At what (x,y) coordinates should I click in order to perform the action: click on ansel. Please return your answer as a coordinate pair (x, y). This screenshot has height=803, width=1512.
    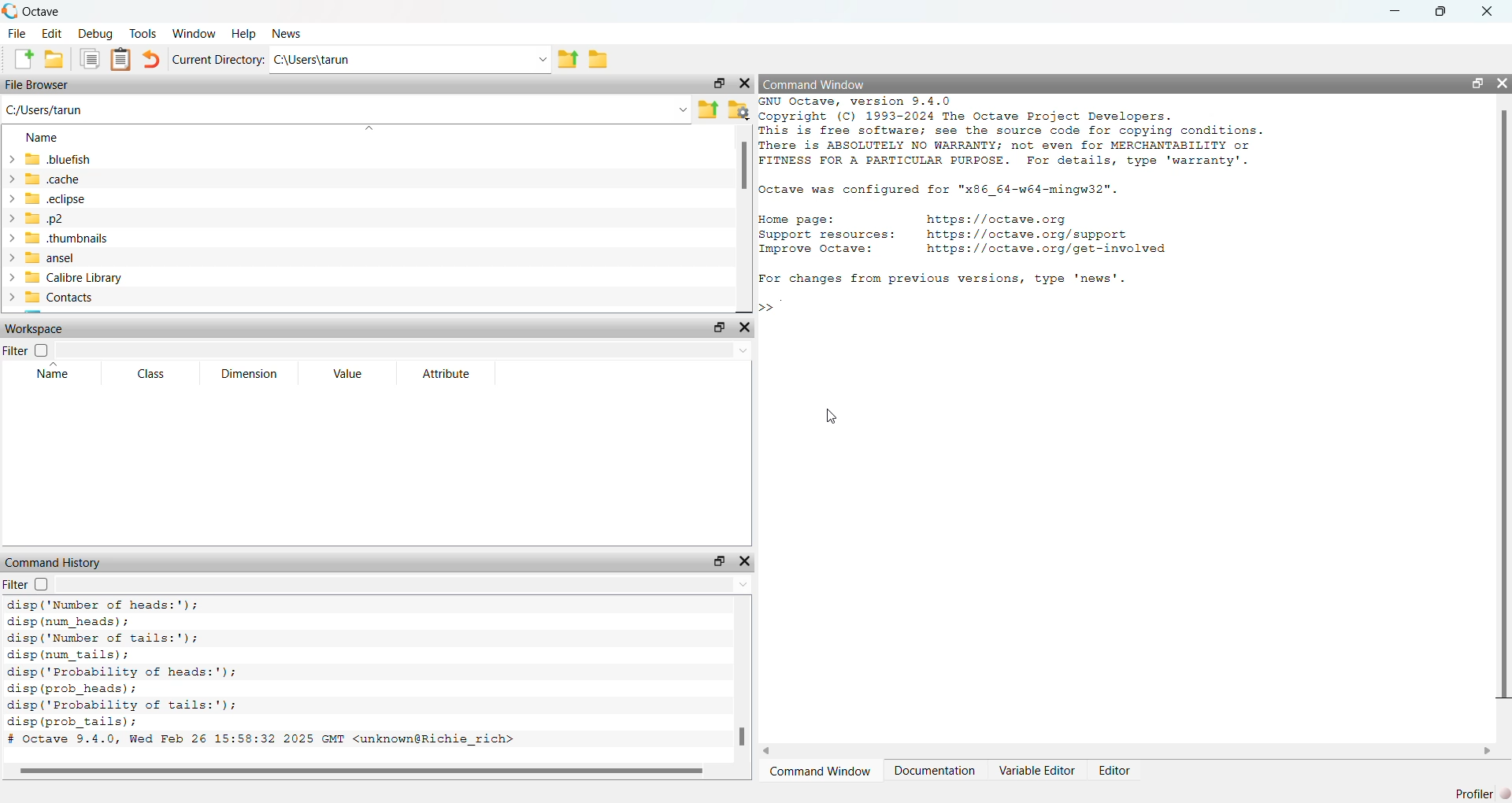
    Looking at the image, I should click on (52, 258).